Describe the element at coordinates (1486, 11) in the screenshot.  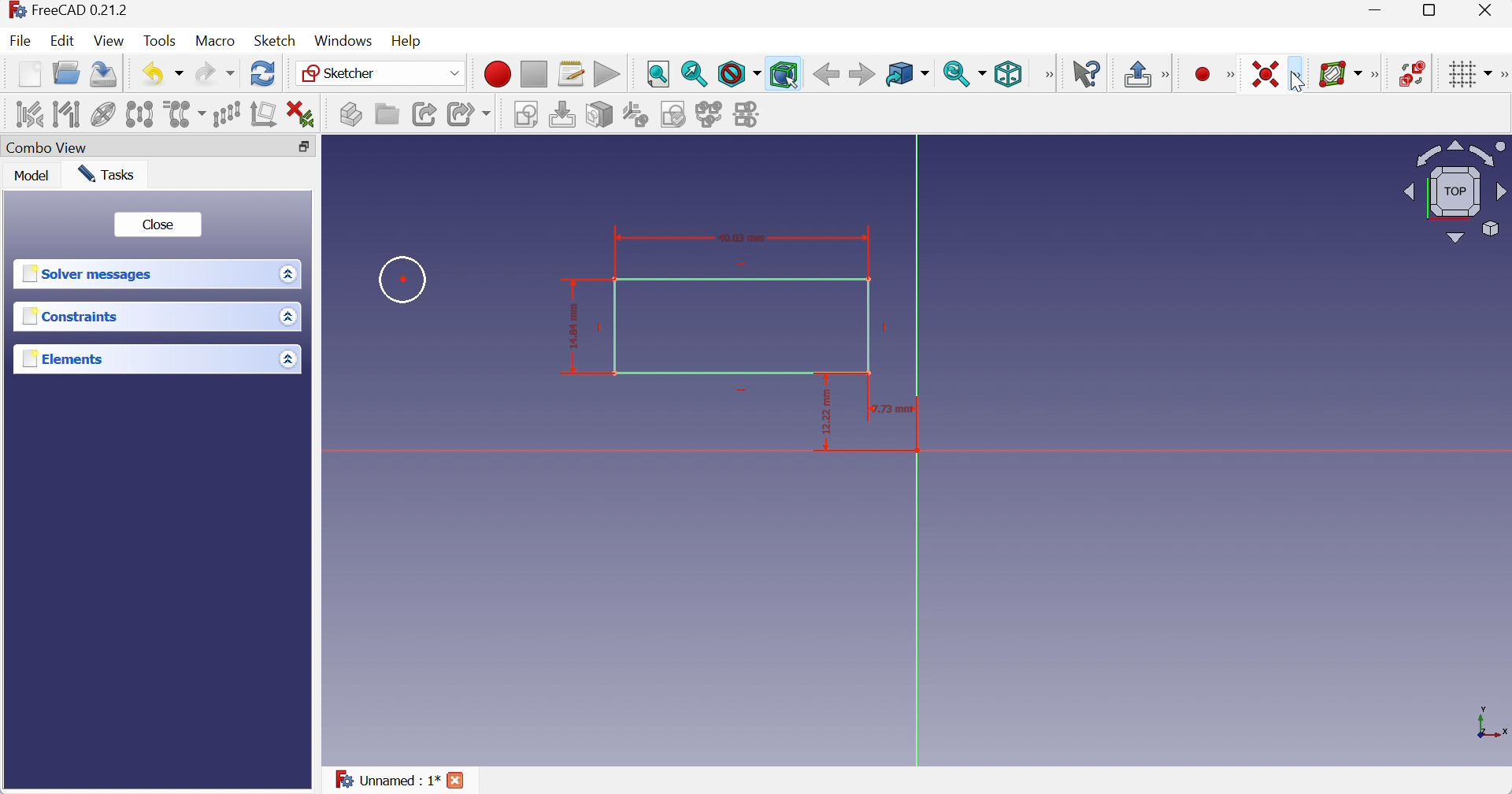
I see `Close` at that location.